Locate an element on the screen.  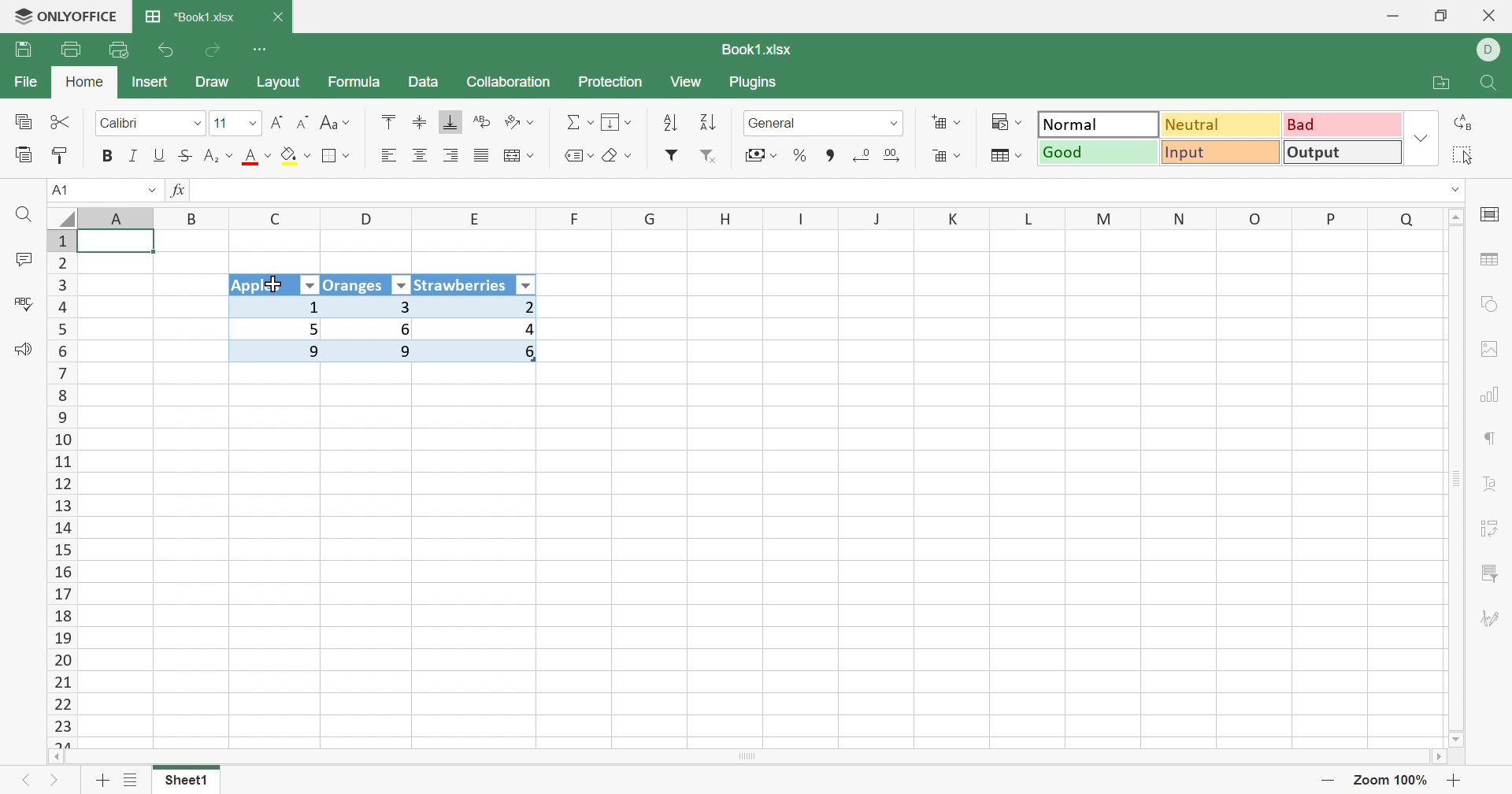
Zoom 100% is located at coordinates (1391, 780).